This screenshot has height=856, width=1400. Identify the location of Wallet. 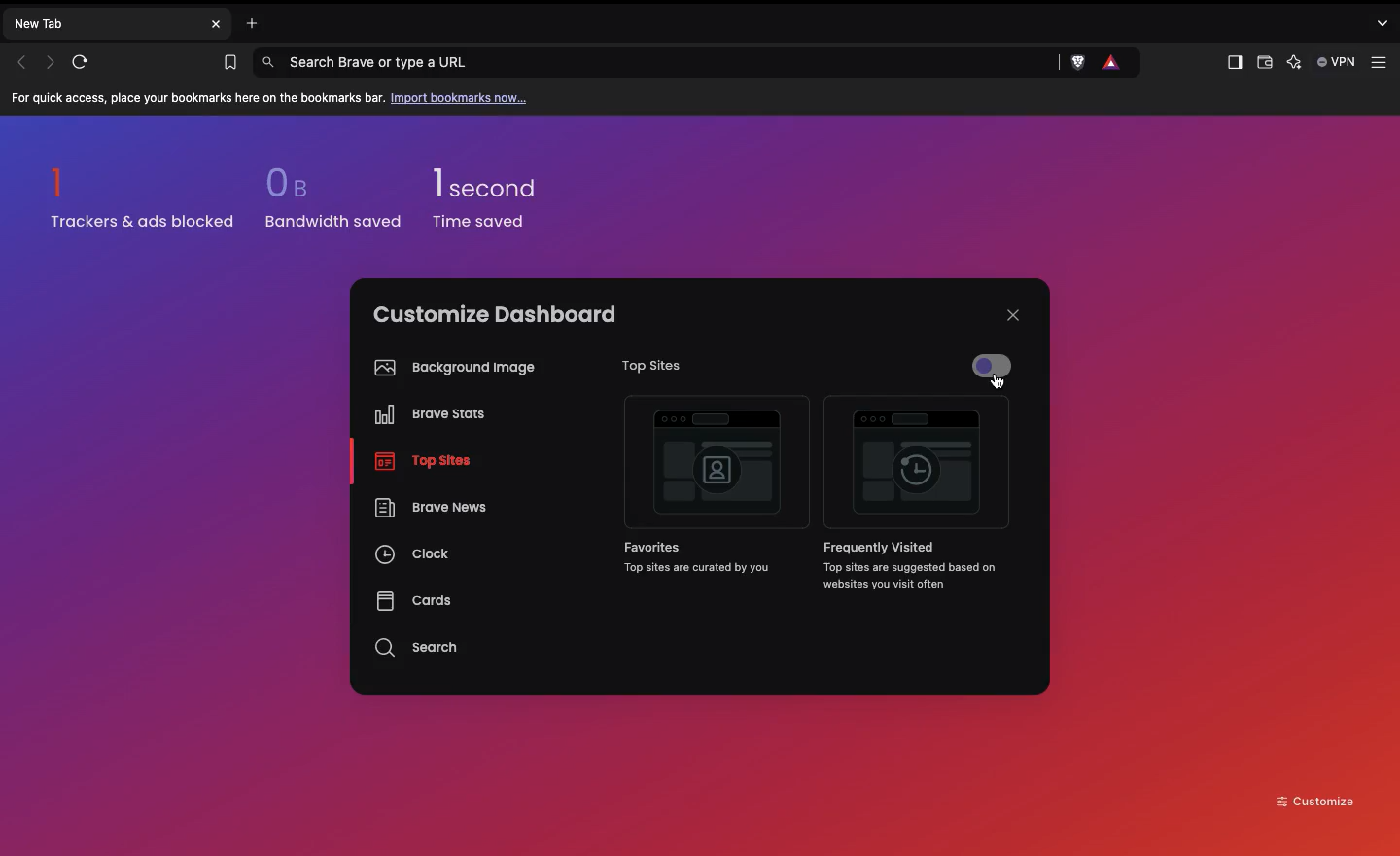
(1263, 65).